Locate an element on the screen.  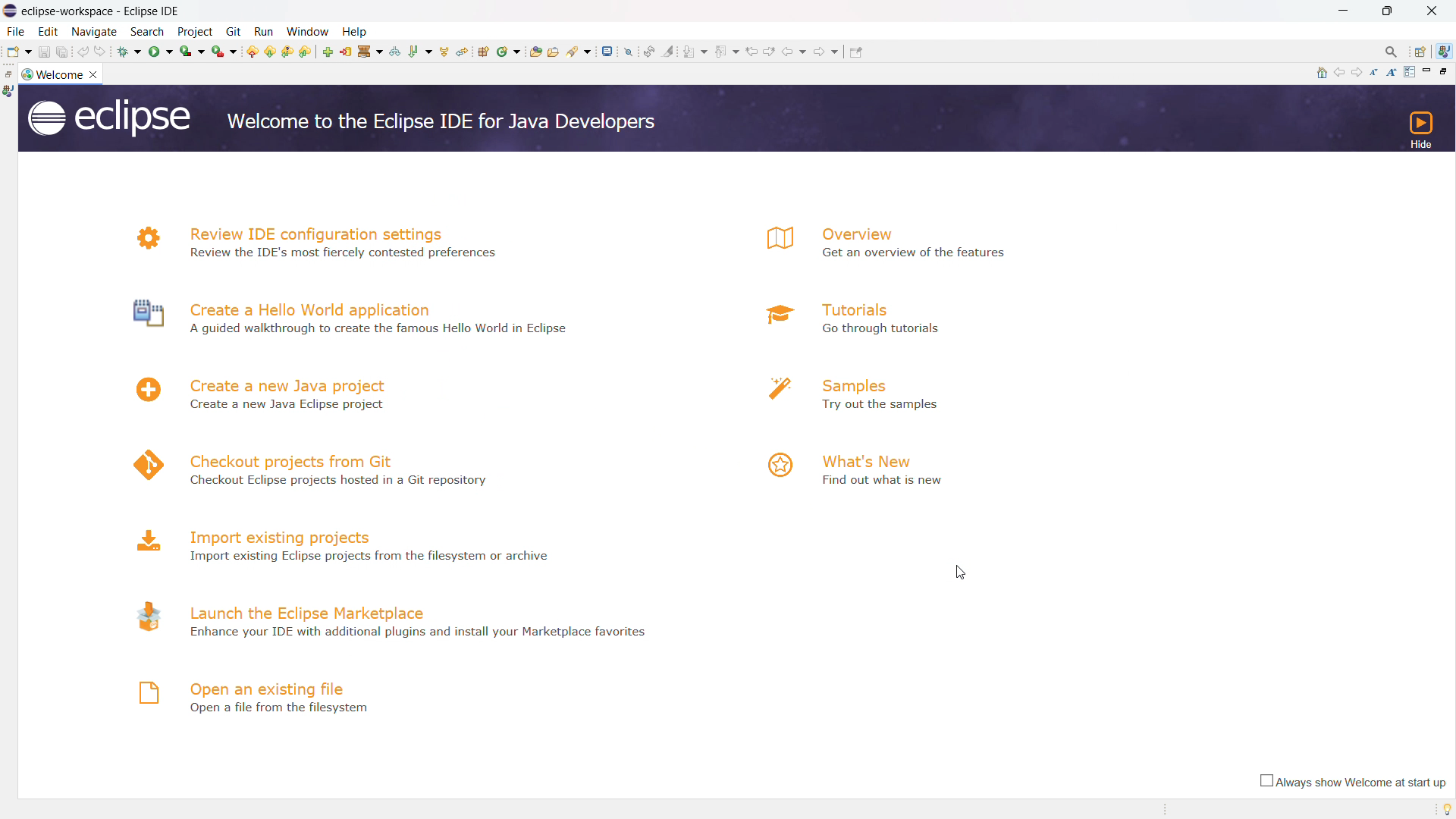
push current branch to upstream if configured or start push branch wizard is located at coordinates (252, 51).